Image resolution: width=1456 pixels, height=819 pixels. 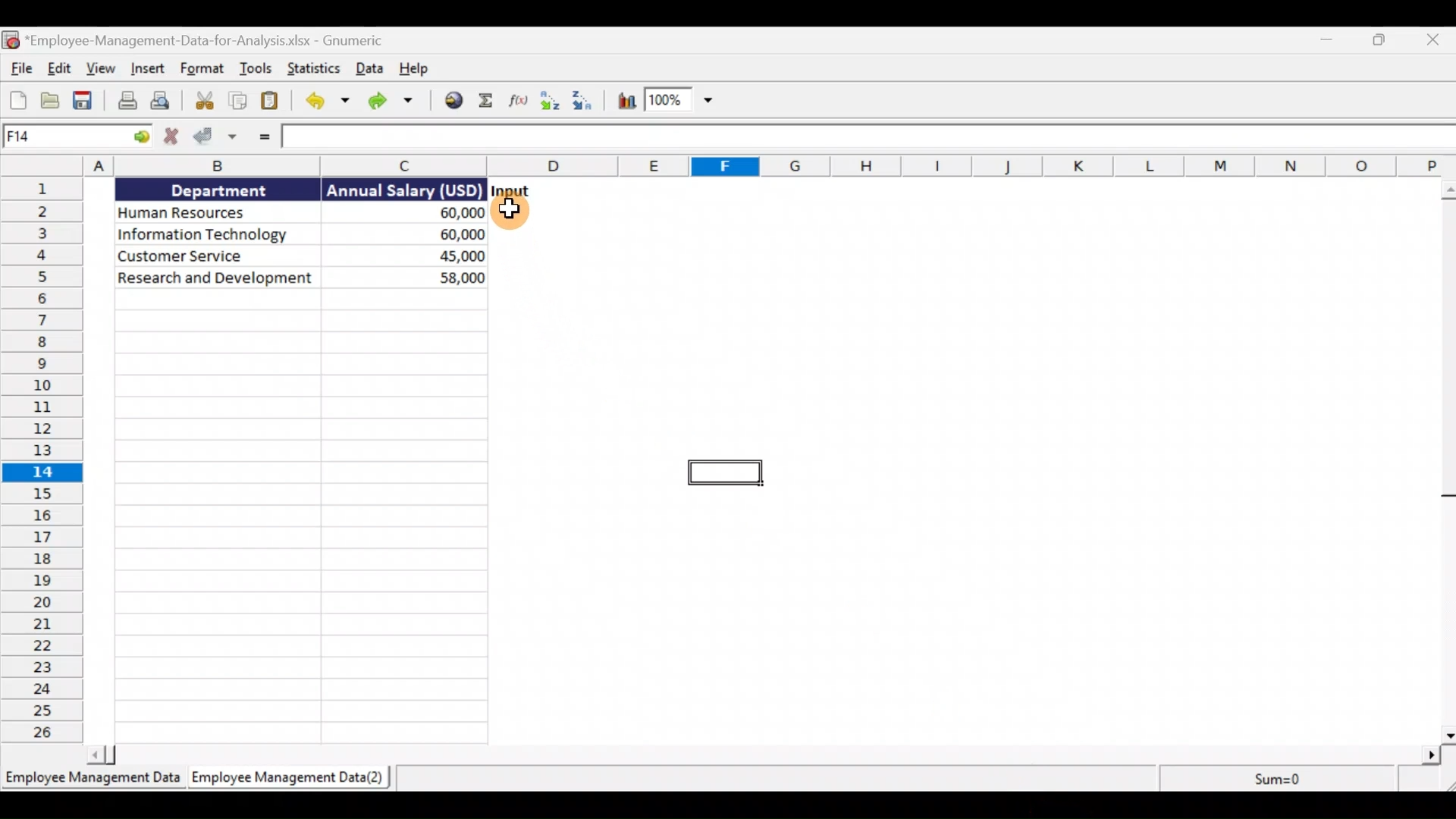 What do you see at coordinates (397, 103) in the screenshot?
I see `Redo undone action` at bounding box center [397, 103].